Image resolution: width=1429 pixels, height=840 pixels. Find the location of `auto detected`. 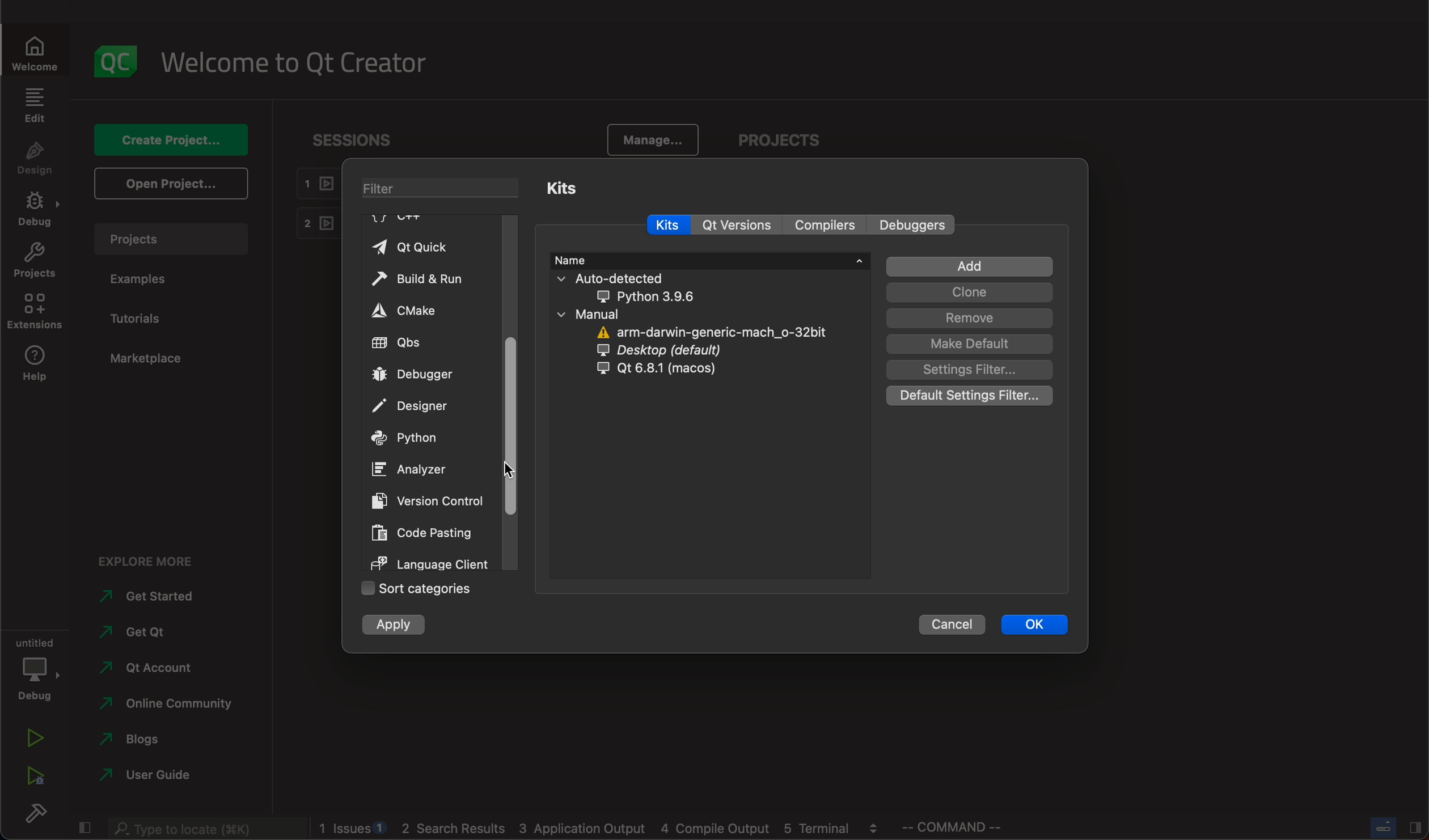

auto detected is located at coordinates (649, 287).